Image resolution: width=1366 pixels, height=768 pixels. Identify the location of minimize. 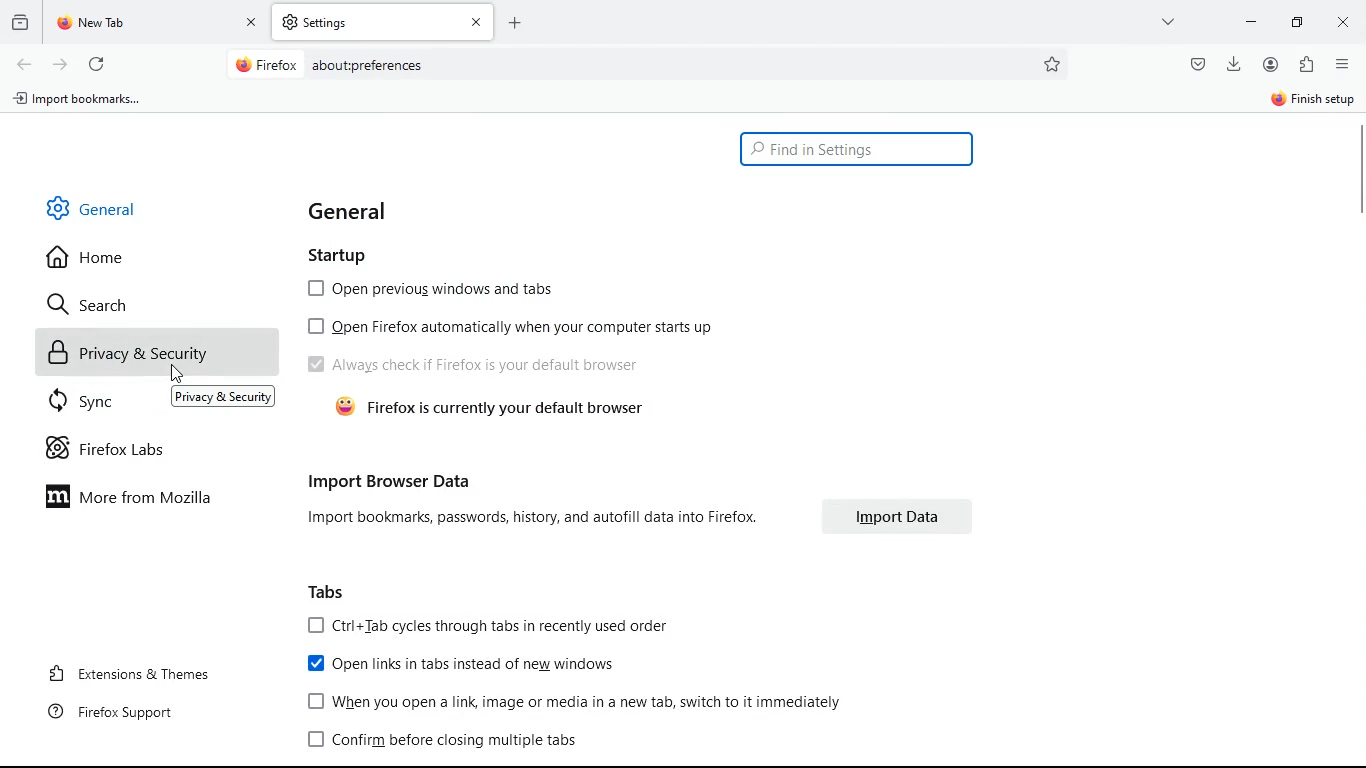
(1302, 21).